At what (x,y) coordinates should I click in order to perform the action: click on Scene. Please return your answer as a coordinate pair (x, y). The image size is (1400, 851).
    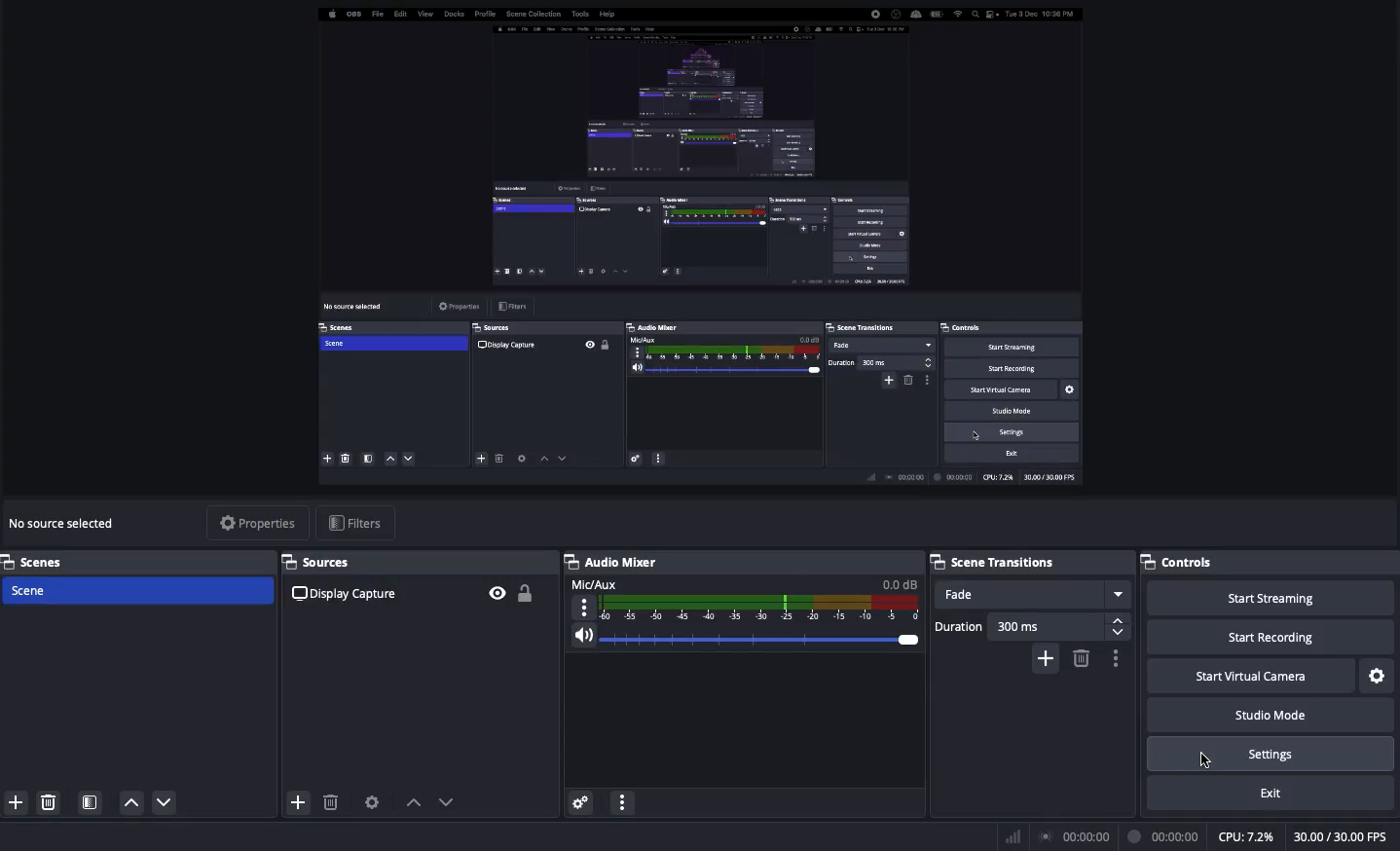
    Looking at the image, I should click on (138, 589).